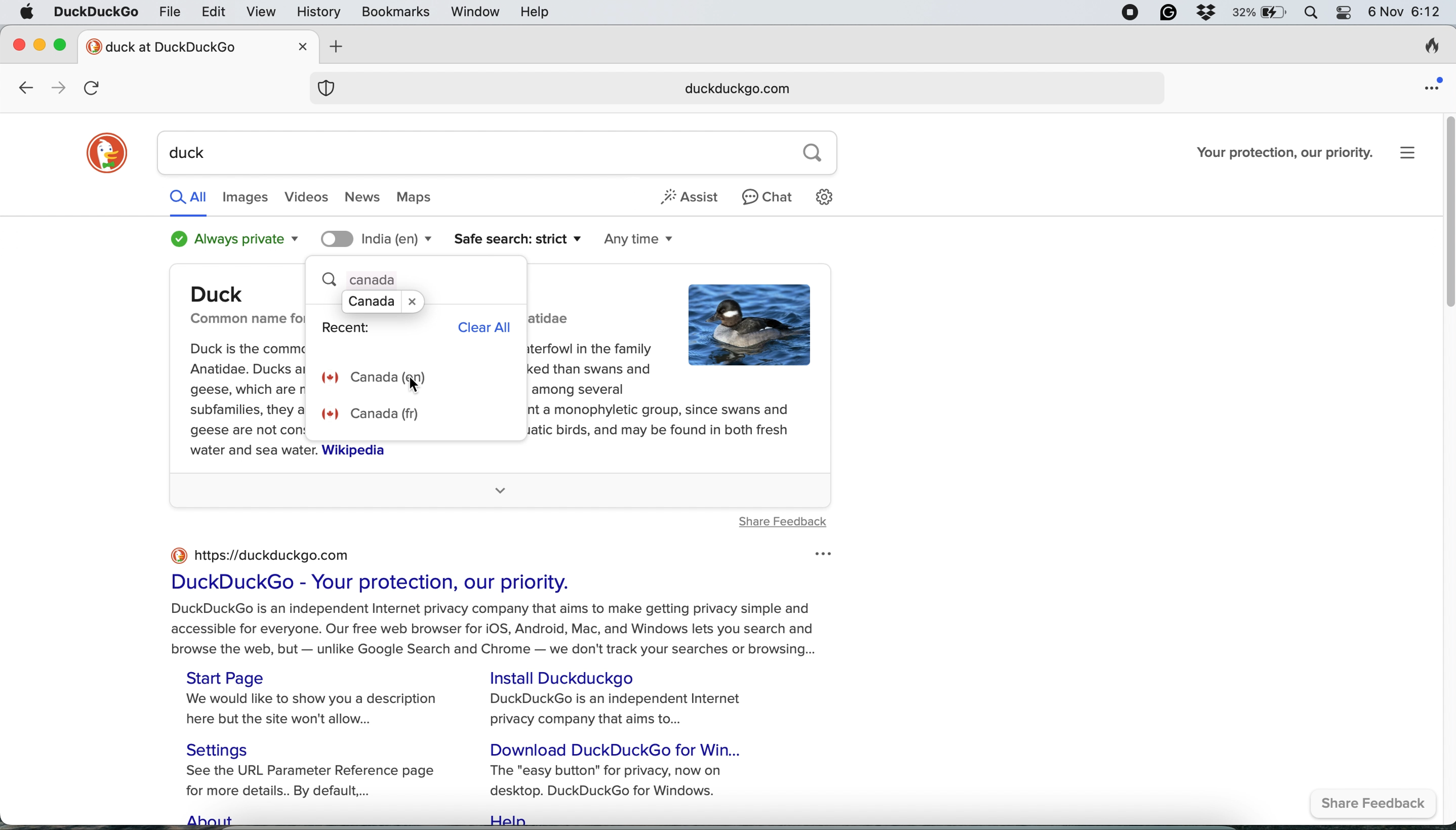 This screenshot has height=830, width=1456. Describe the element at coordinates (734, 89) in the screenshot. I see `duckduckgo.com` at that location.